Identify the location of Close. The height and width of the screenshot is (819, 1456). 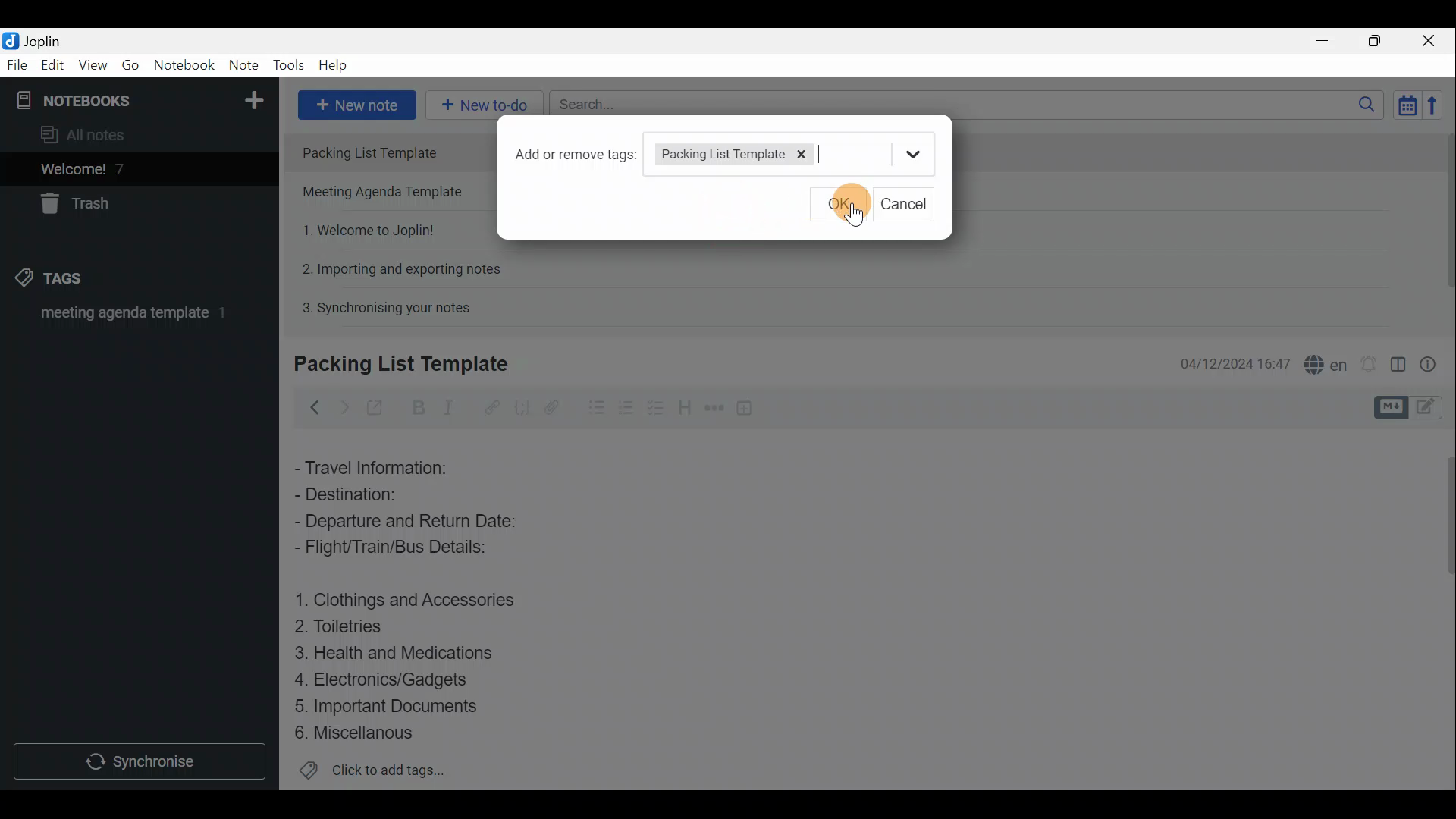
(1433, 40).